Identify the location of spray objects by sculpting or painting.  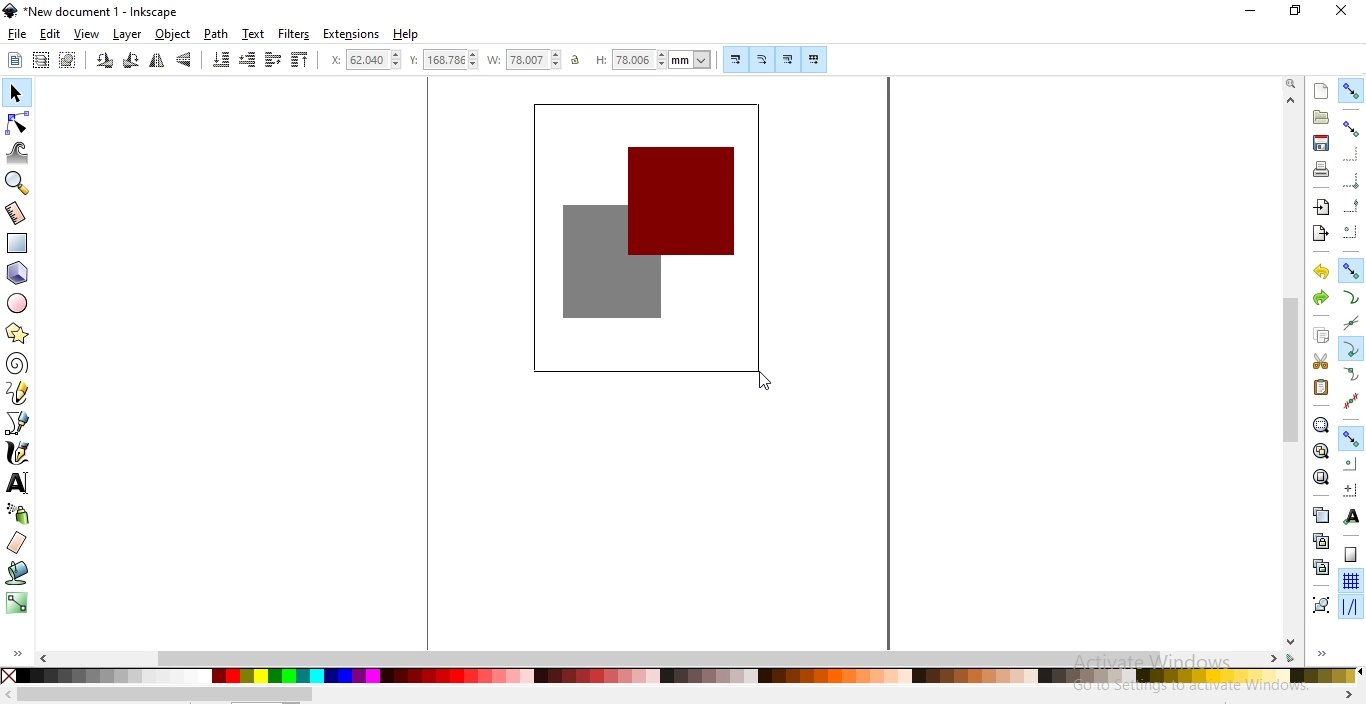
(18, 513).